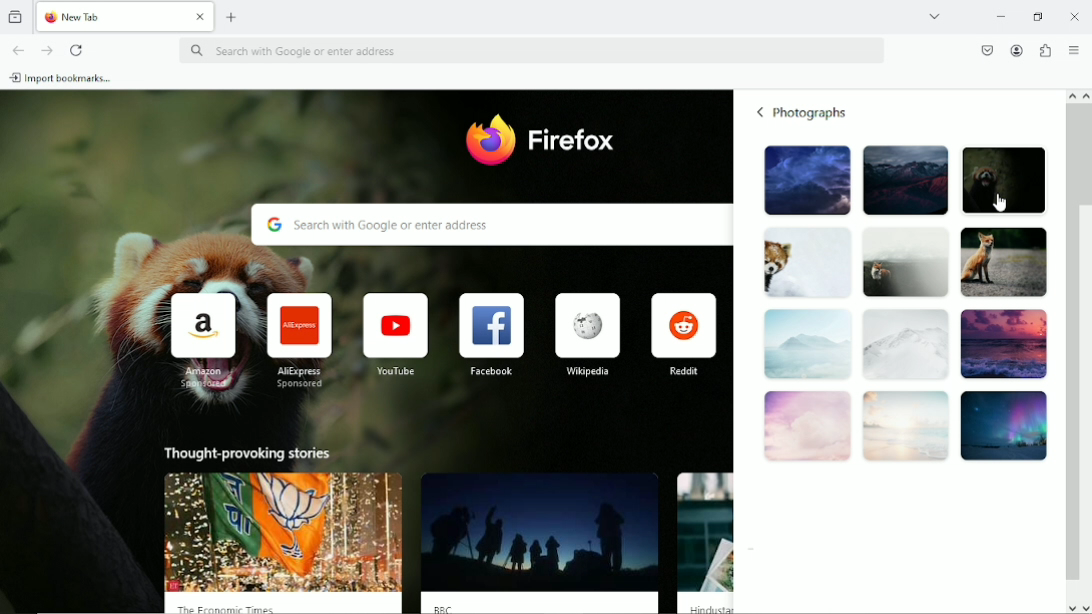 The image size is (1092, 614). I want to click on List all tabs, so click(934, 16).